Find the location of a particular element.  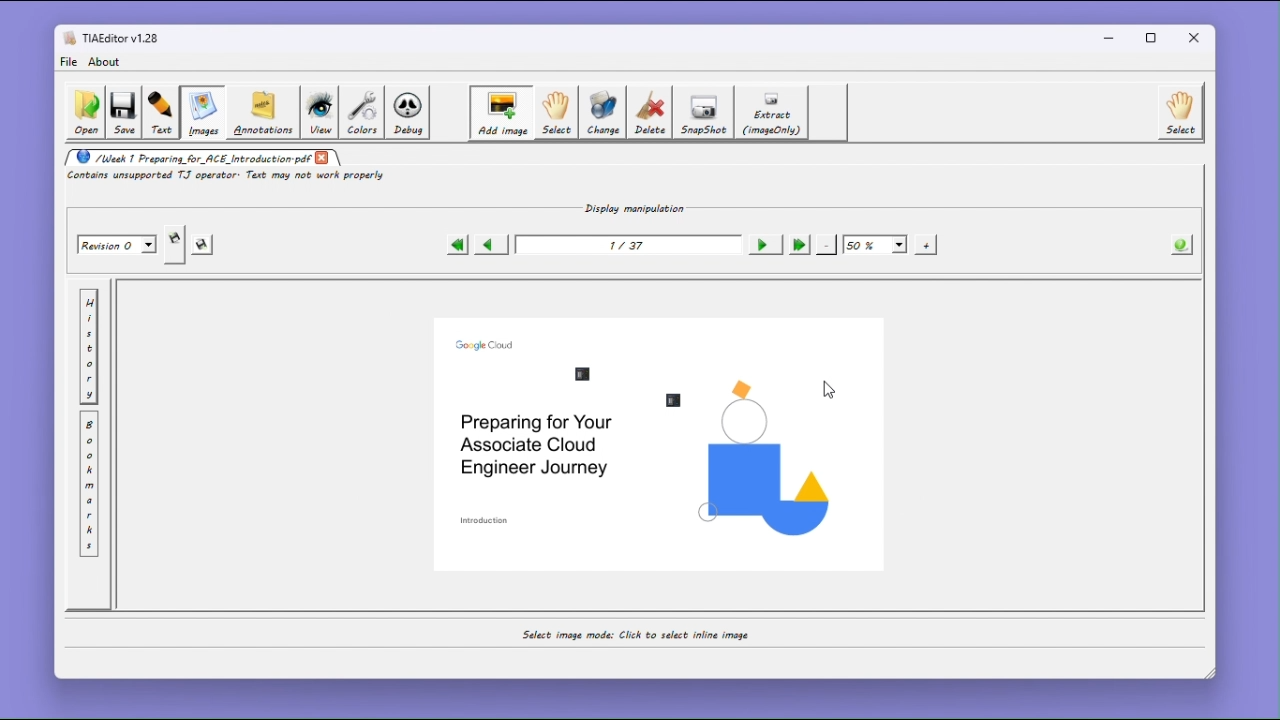

Insertimage mode: Select a rectangle to insert an image is located at coordinates (633, 635).